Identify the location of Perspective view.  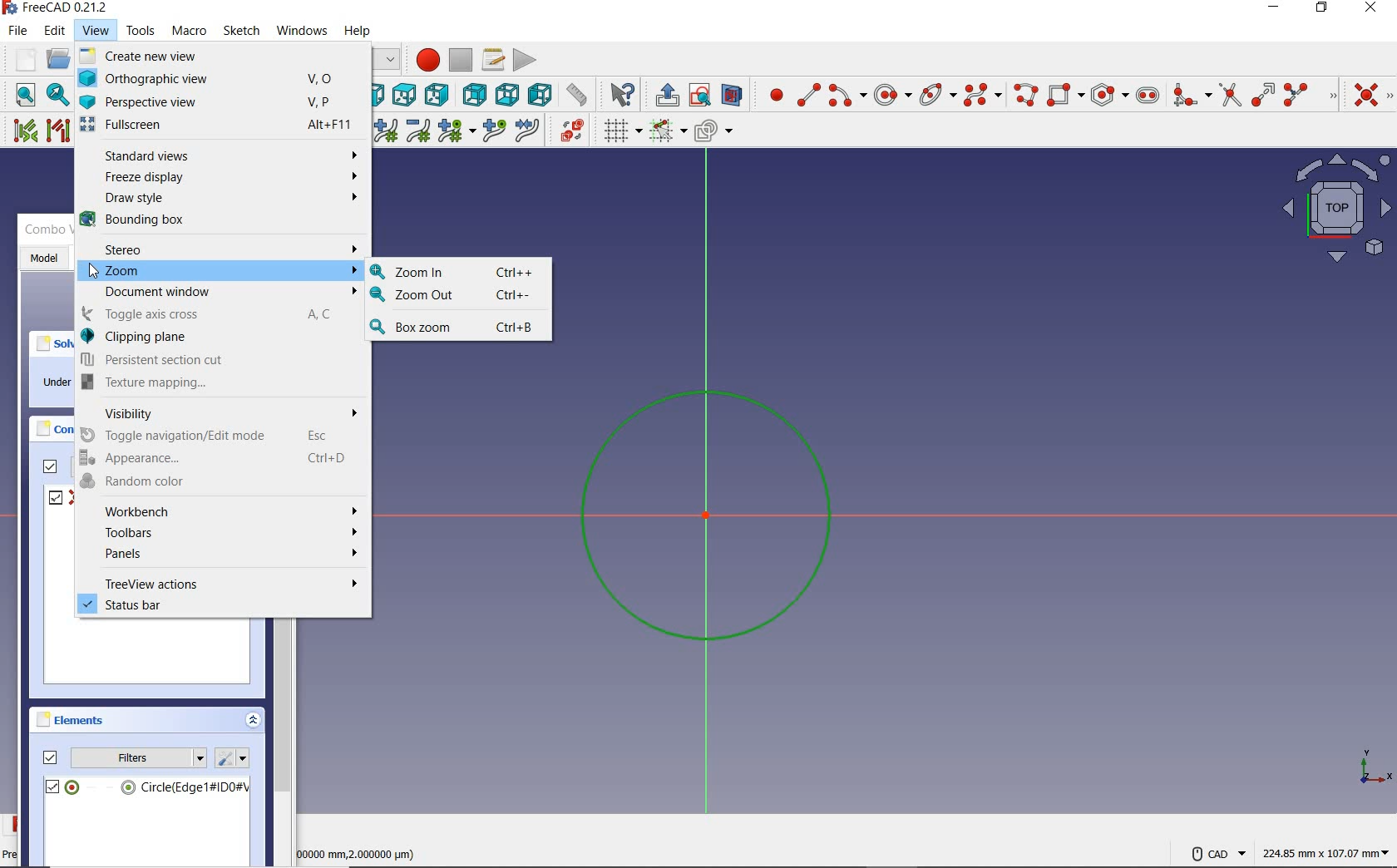
(215, 101).